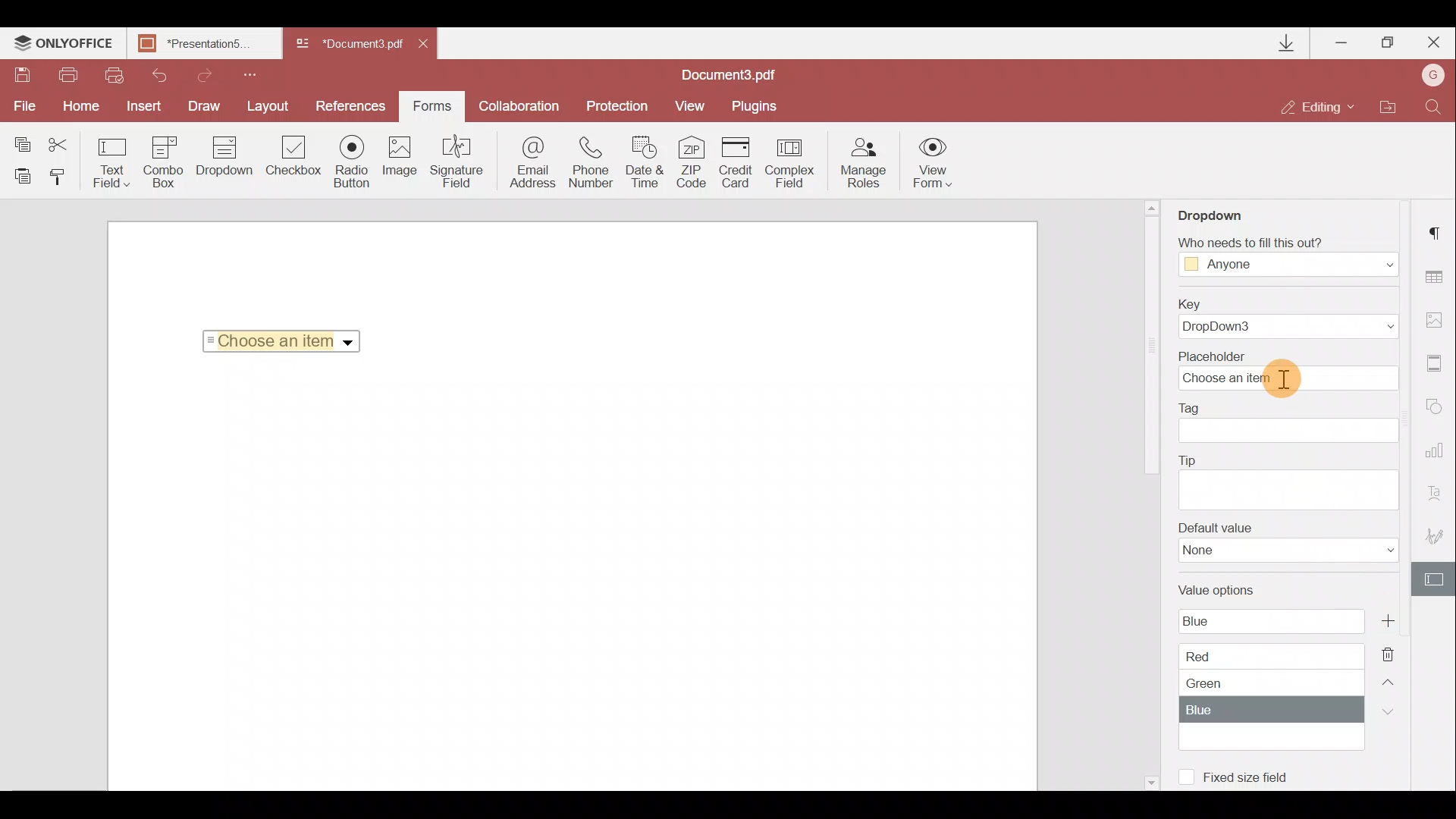 The image size is (1456, 819). I want to click on Document name, so click(736, 74).